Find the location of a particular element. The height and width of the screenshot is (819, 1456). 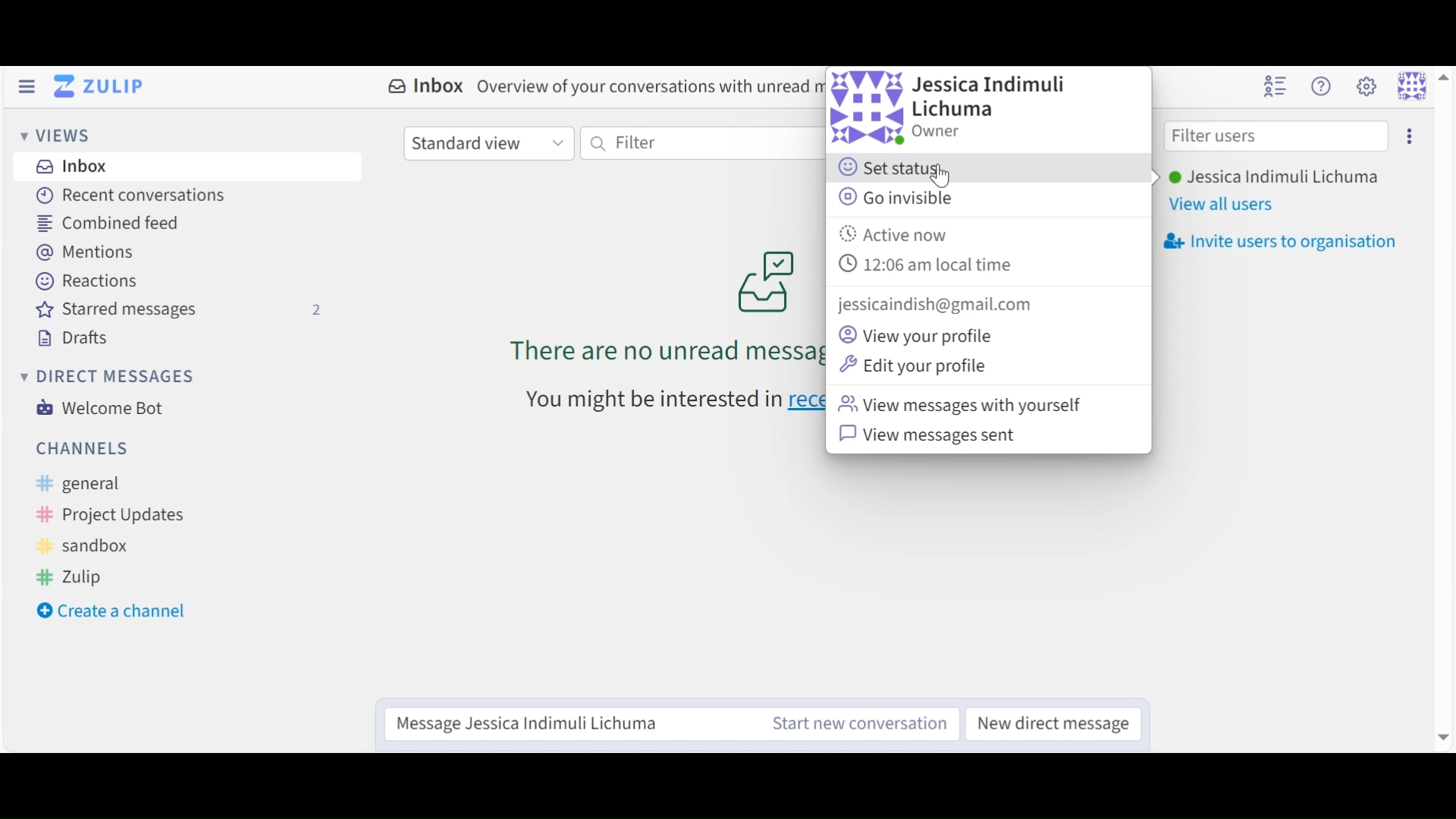

Active now is located at coordinates (899, 236).